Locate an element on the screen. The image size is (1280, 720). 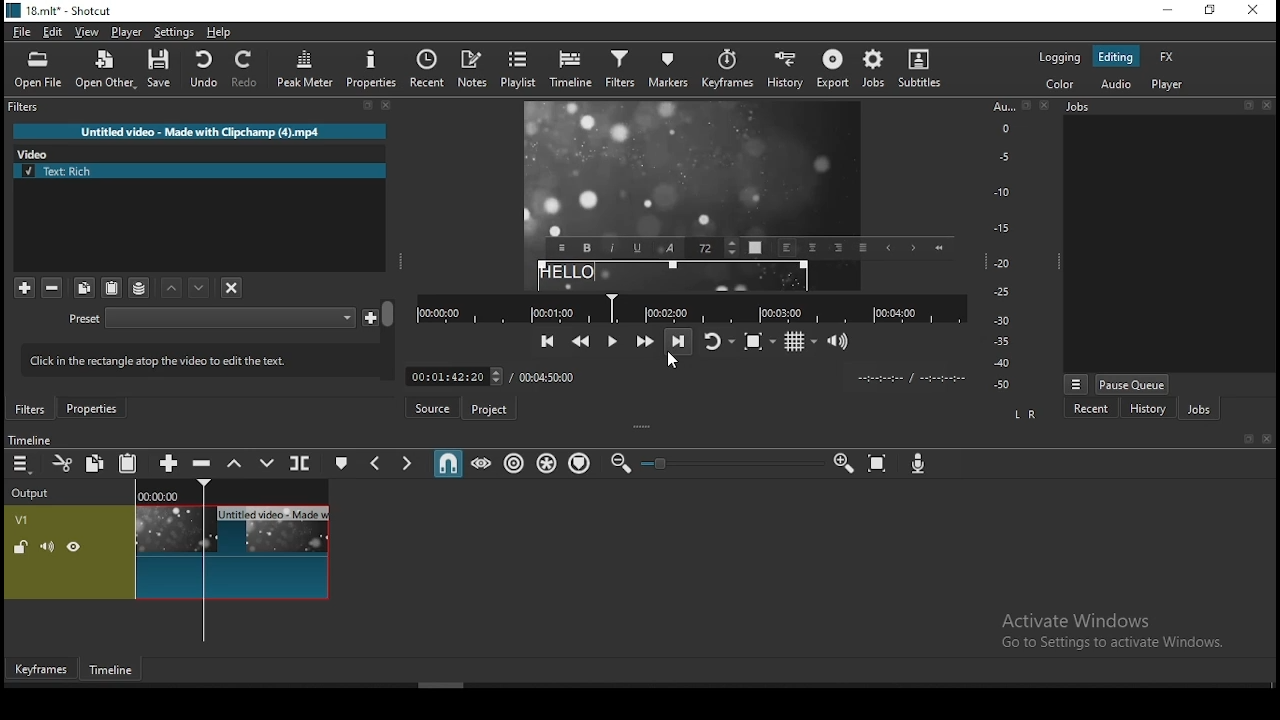
remove selected filters is located at coordinates (53, 289).